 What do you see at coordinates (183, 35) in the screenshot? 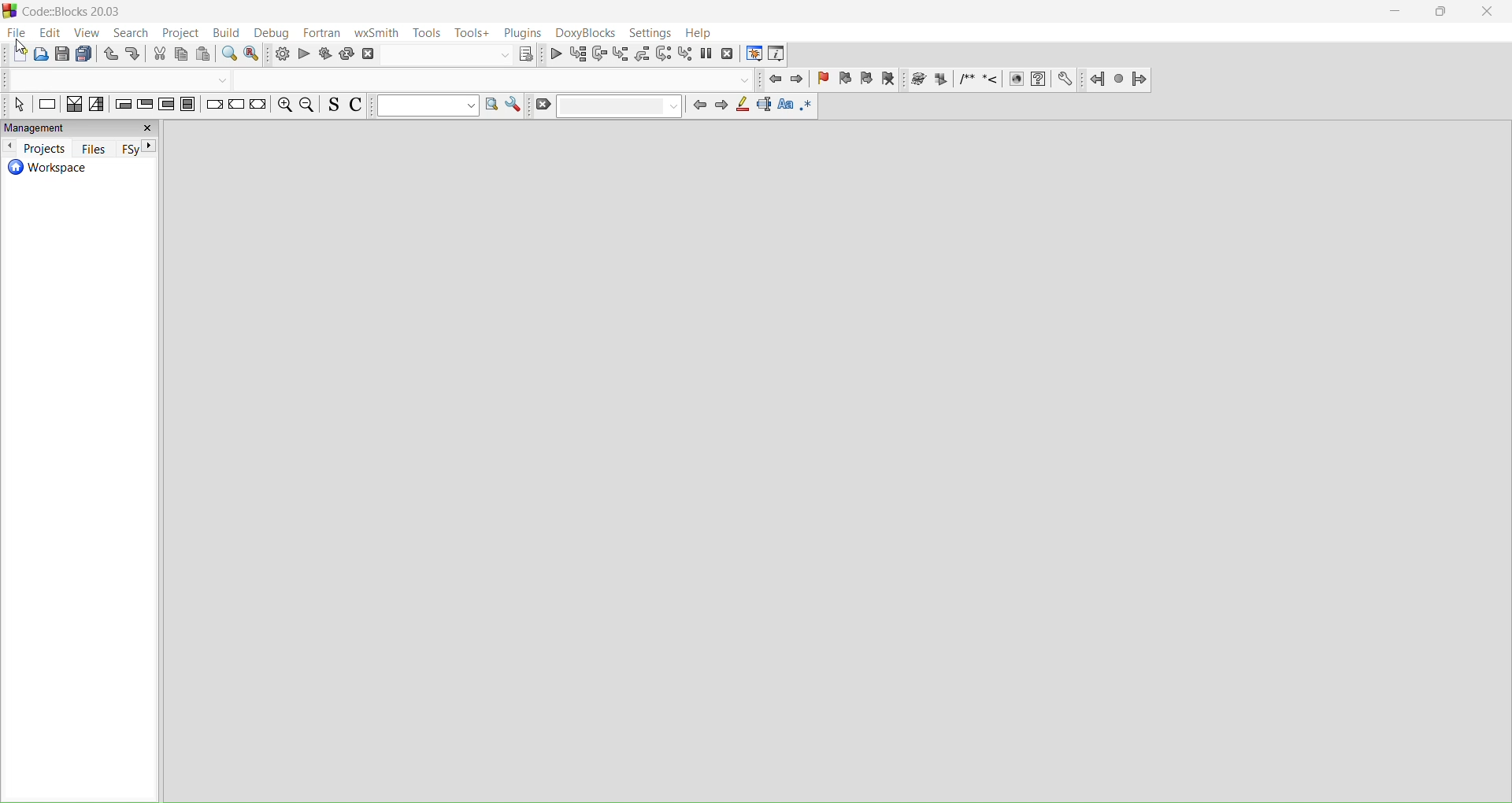
I see `project` at bounding box center [183, 35].